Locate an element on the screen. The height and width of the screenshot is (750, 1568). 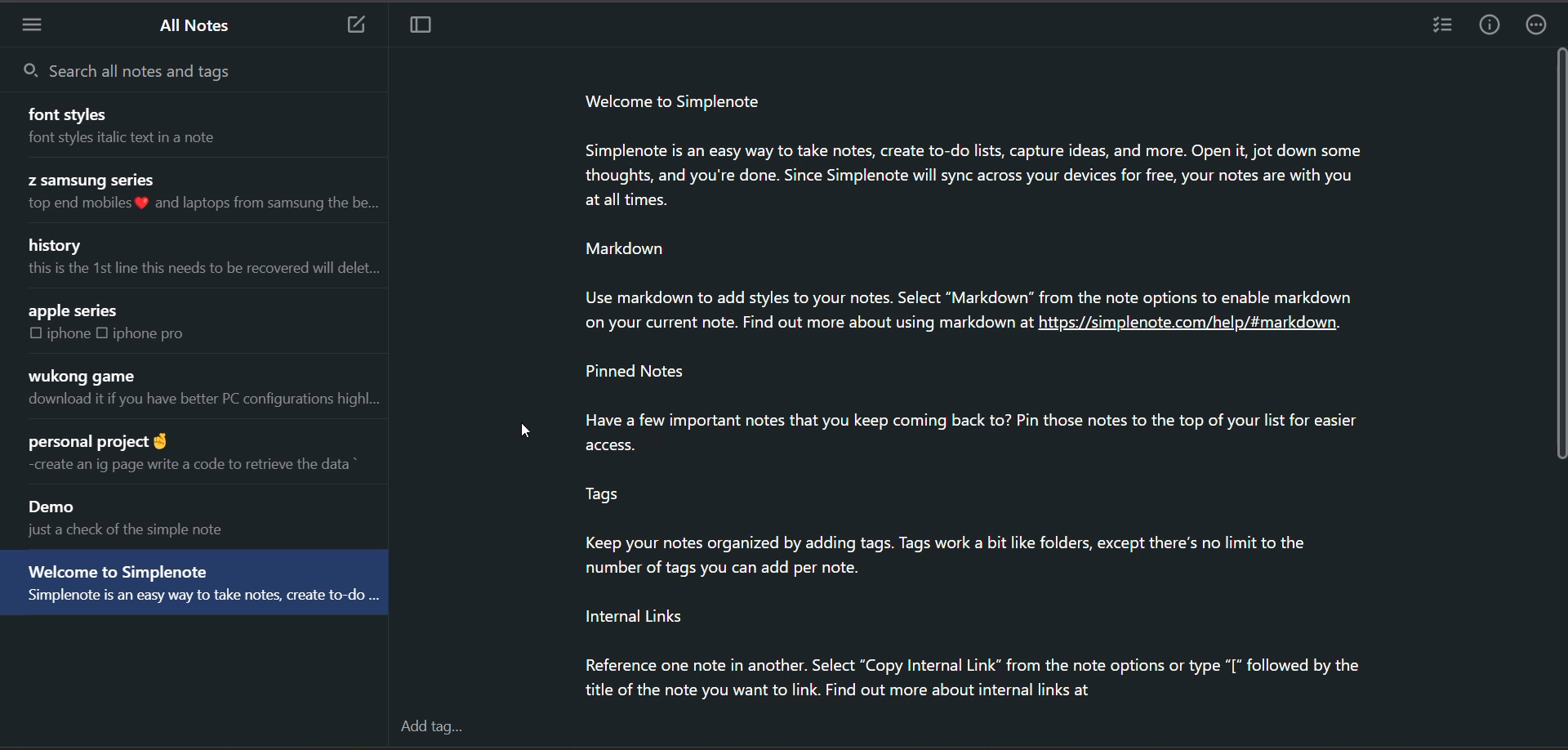
Welcome to Simplenote is located at coordinates (119, 569).